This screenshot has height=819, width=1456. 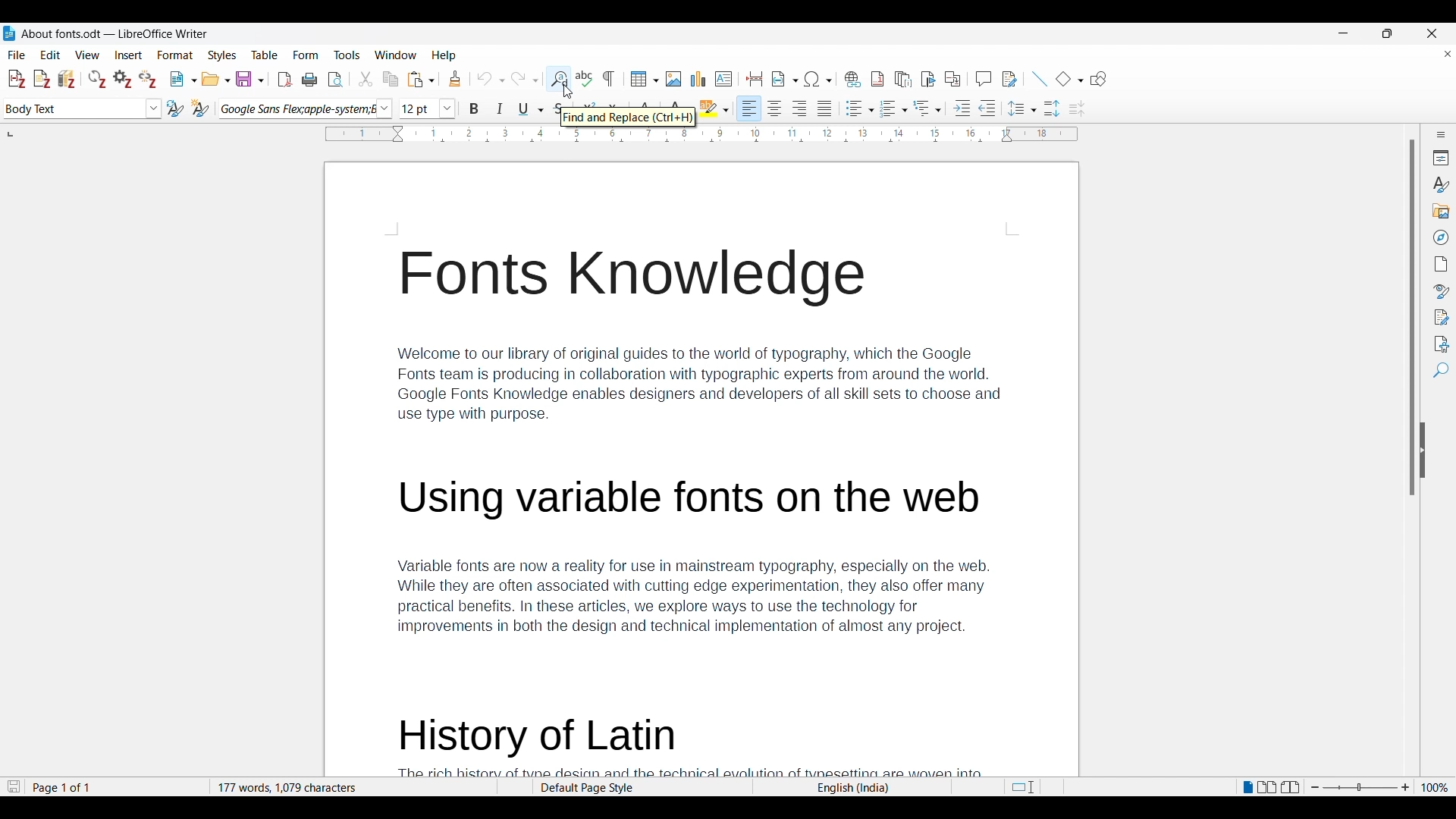 I want to click on New and New options, so click(x=183, y=79).